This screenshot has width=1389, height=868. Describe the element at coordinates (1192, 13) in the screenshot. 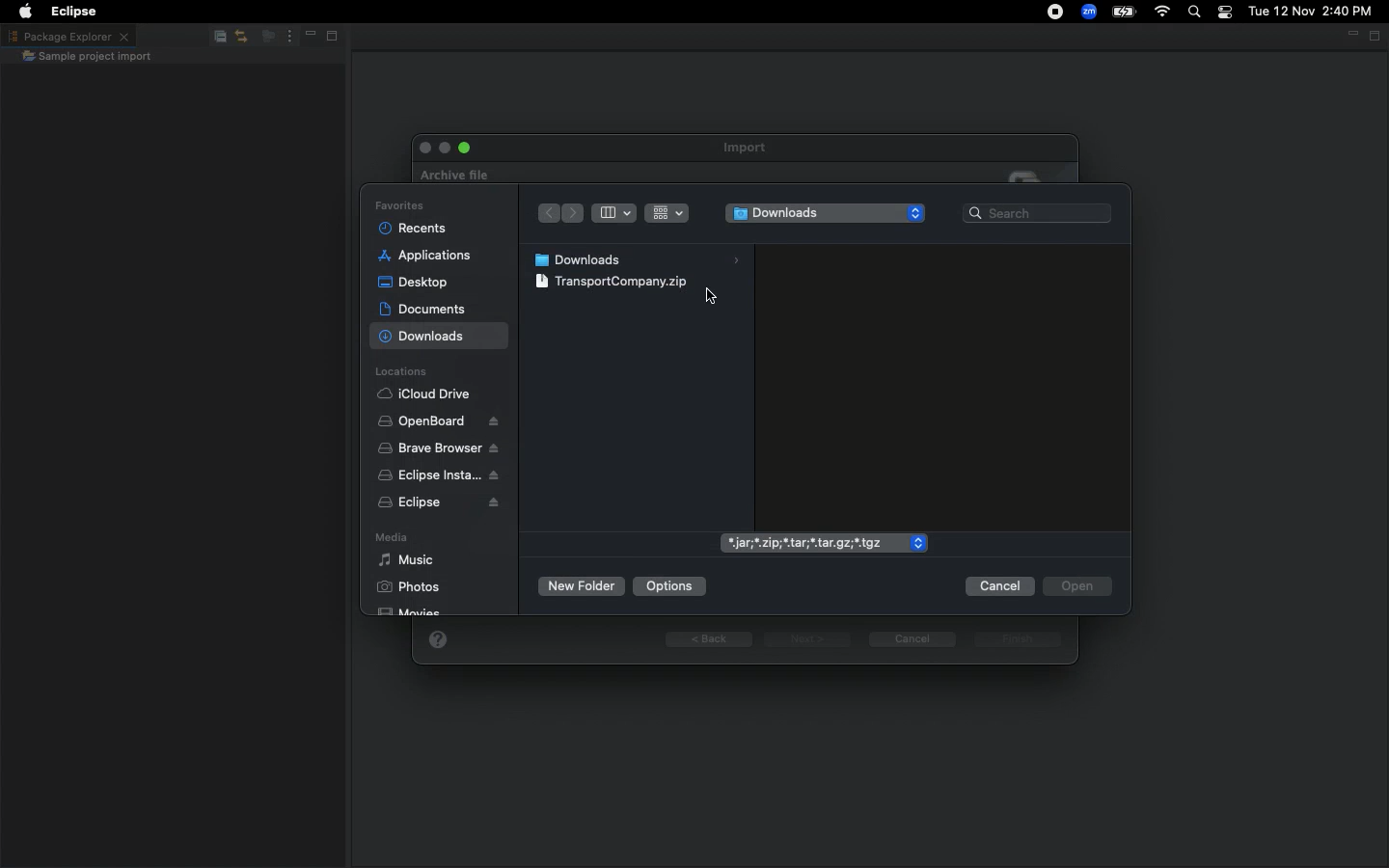

I see `Search` at that location.